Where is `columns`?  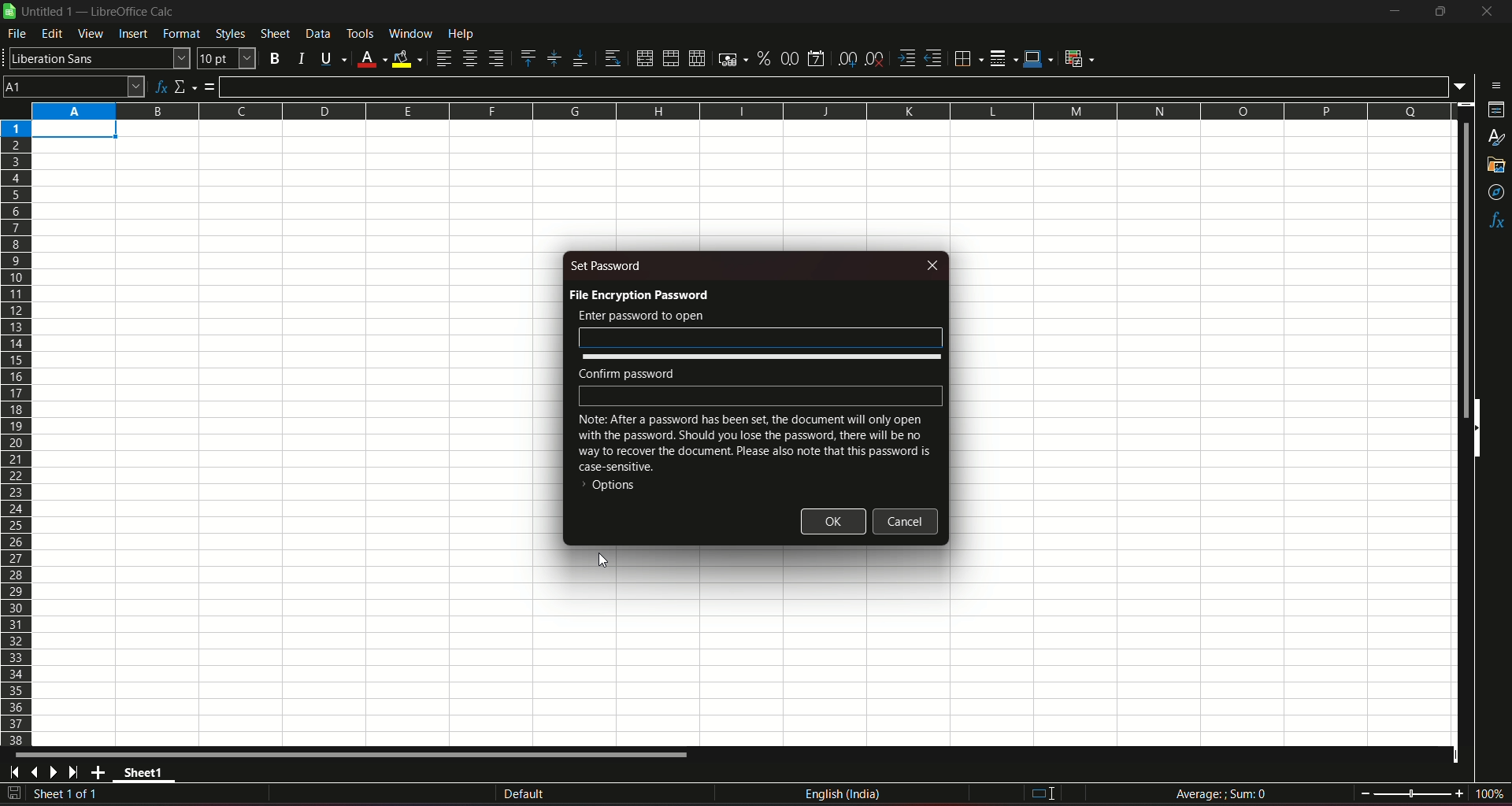 columns is located at coordinates (743, 111).